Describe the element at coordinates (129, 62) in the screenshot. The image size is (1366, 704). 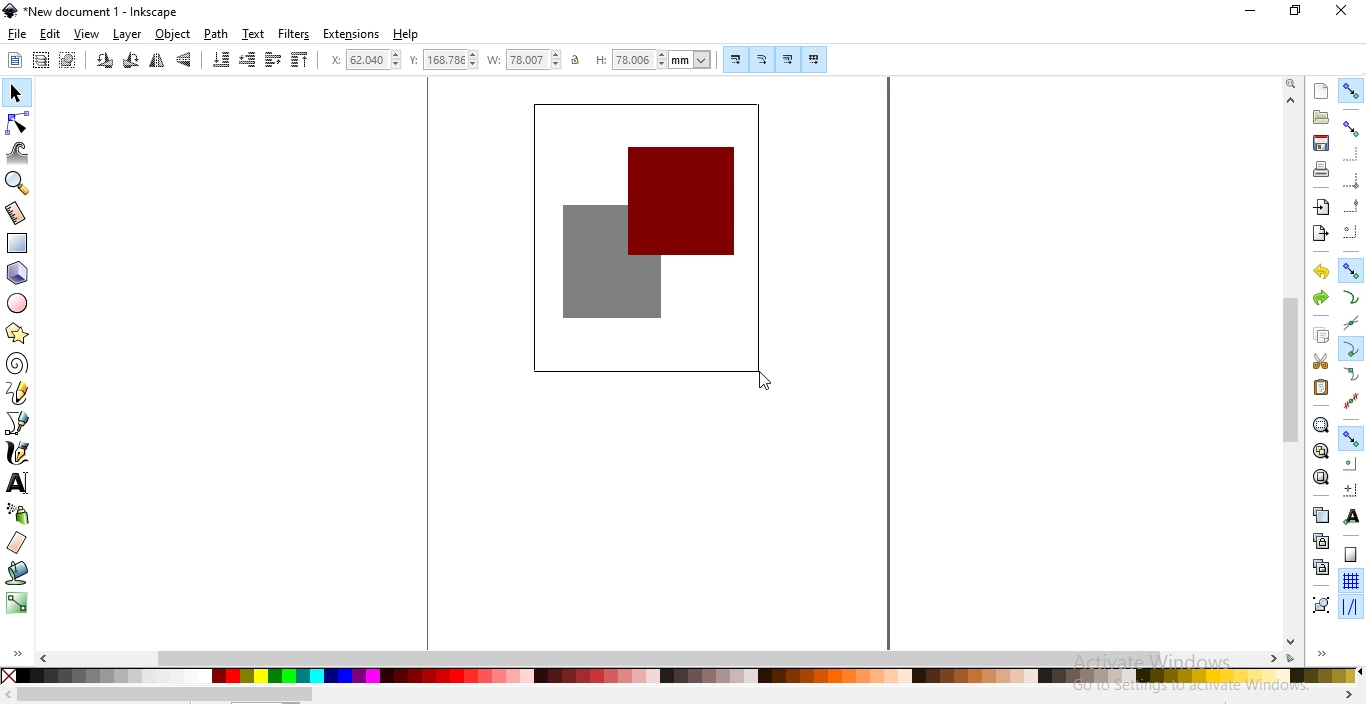
I see `rotate 90 clockwise` at that location.